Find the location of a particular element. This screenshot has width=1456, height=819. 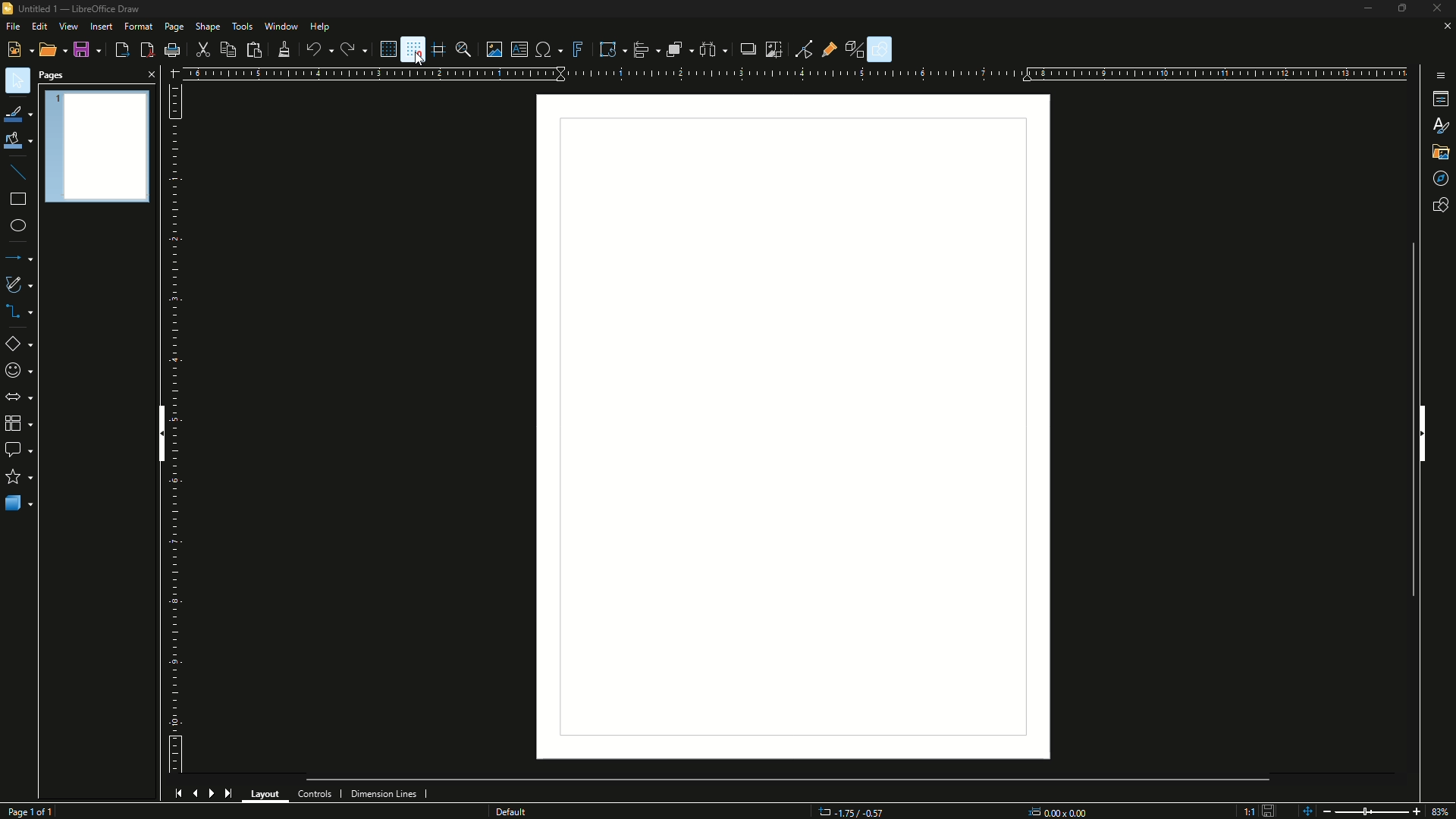

Insert image is located at coordinates (491, 51).